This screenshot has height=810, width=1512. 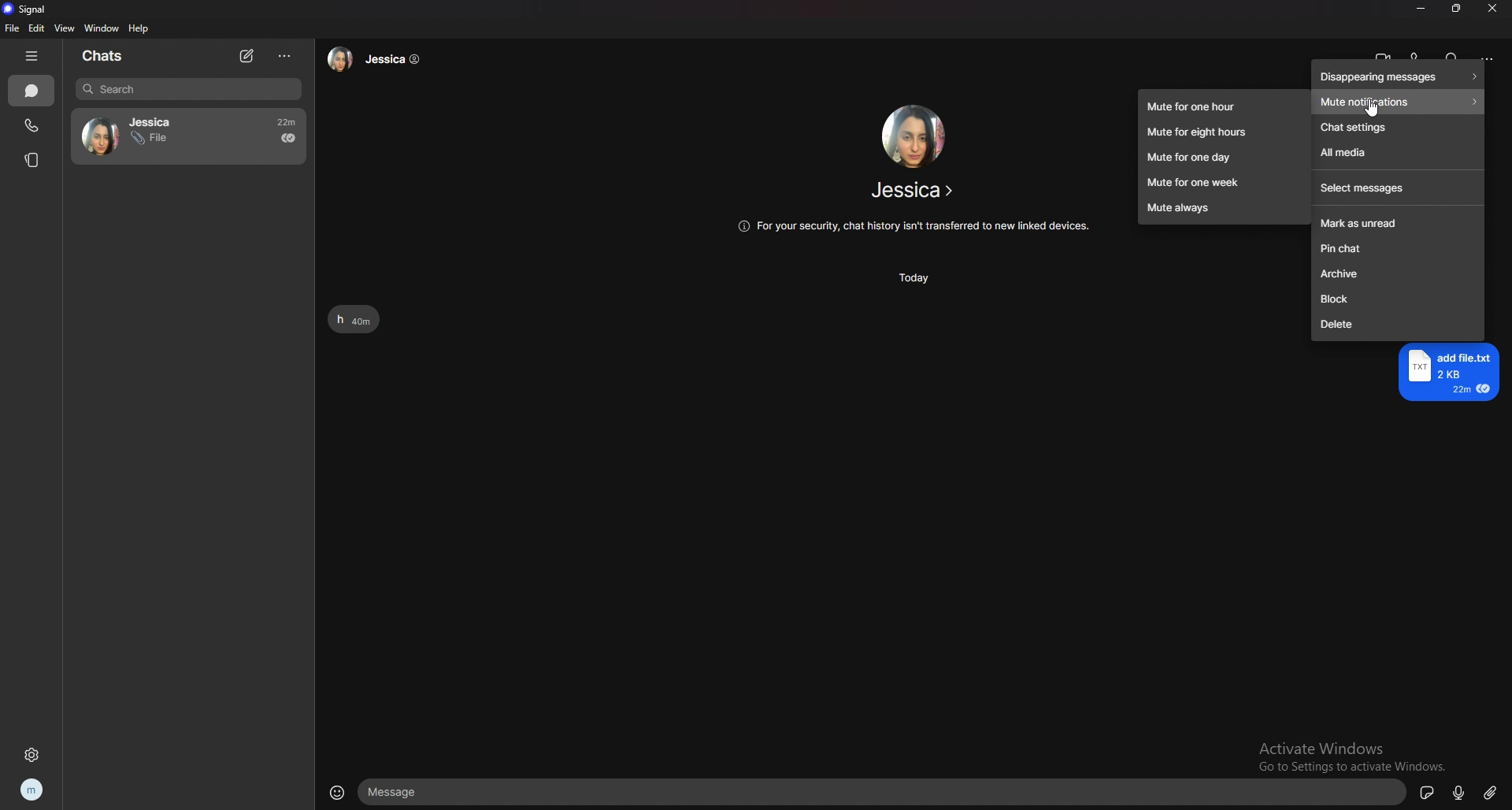 I want to click on mute for one week, so click(x=1222, y=184).